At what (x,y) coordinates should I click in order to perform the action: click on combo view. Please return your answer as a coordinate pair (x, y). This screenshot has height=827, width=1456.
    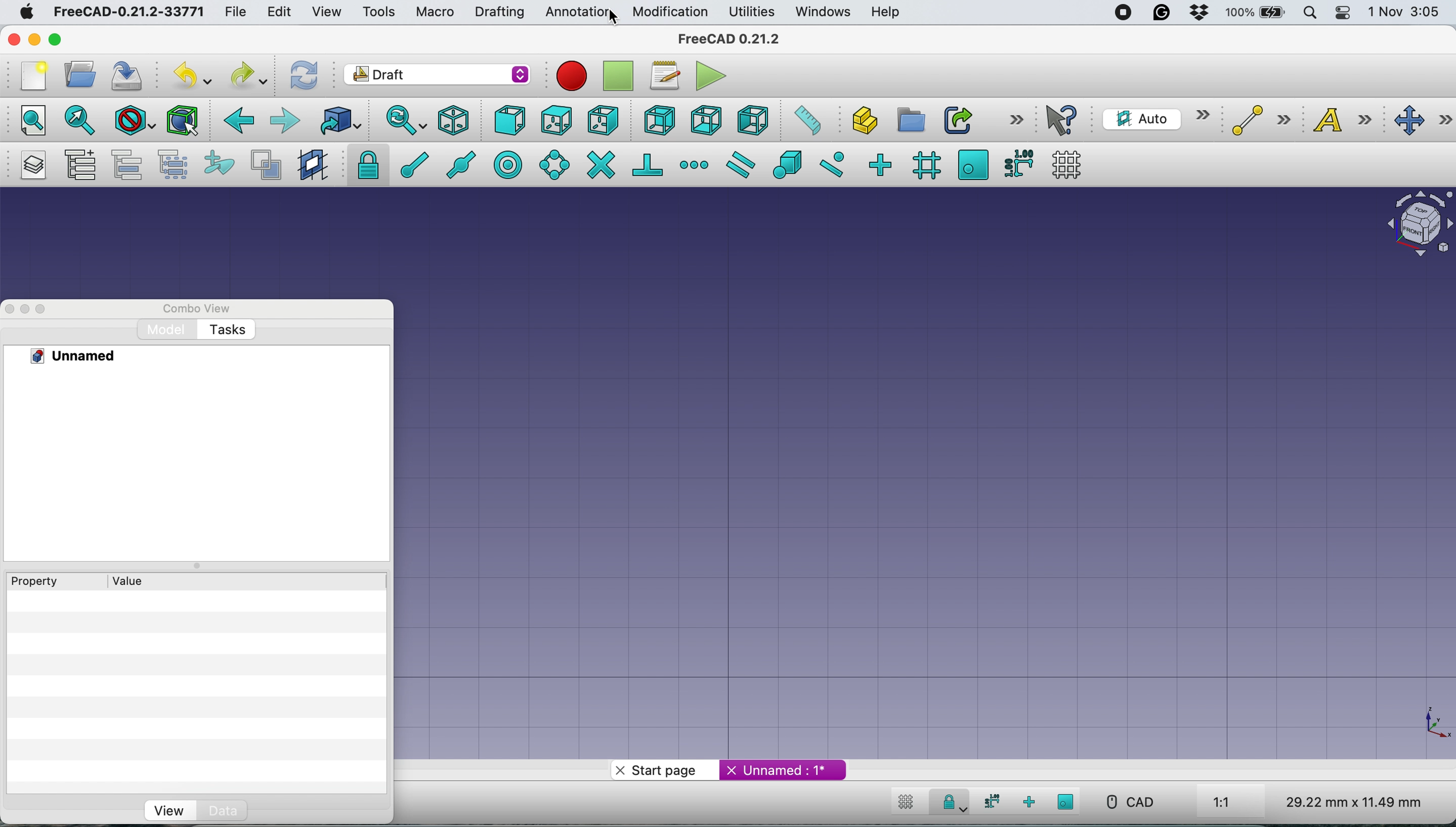
    Looking at the image, I should click on (189, 307).